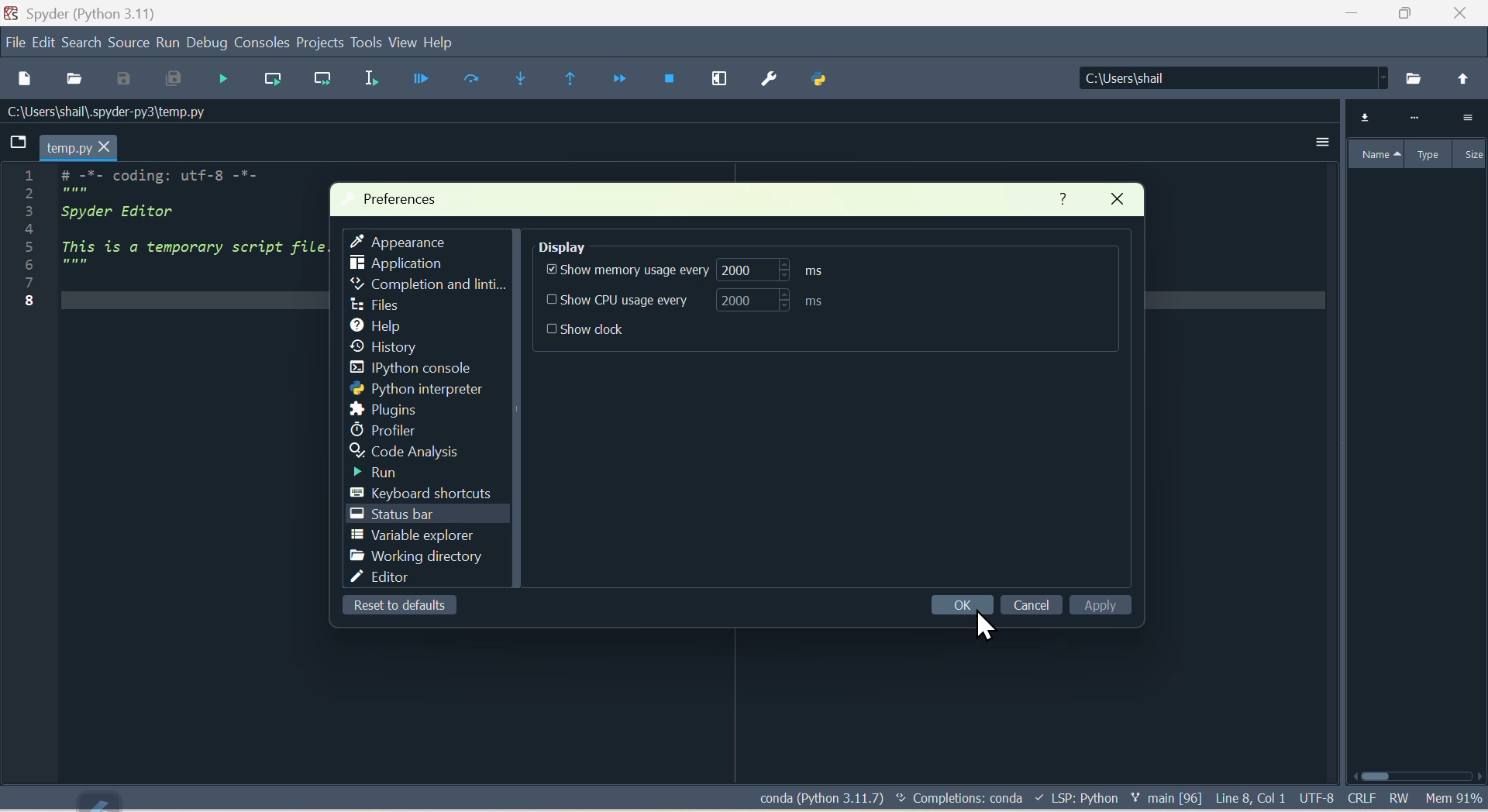  What do you see at coordinates (391, 263) in the screenshot?
I see `Application` at bounding box center [391, 263].